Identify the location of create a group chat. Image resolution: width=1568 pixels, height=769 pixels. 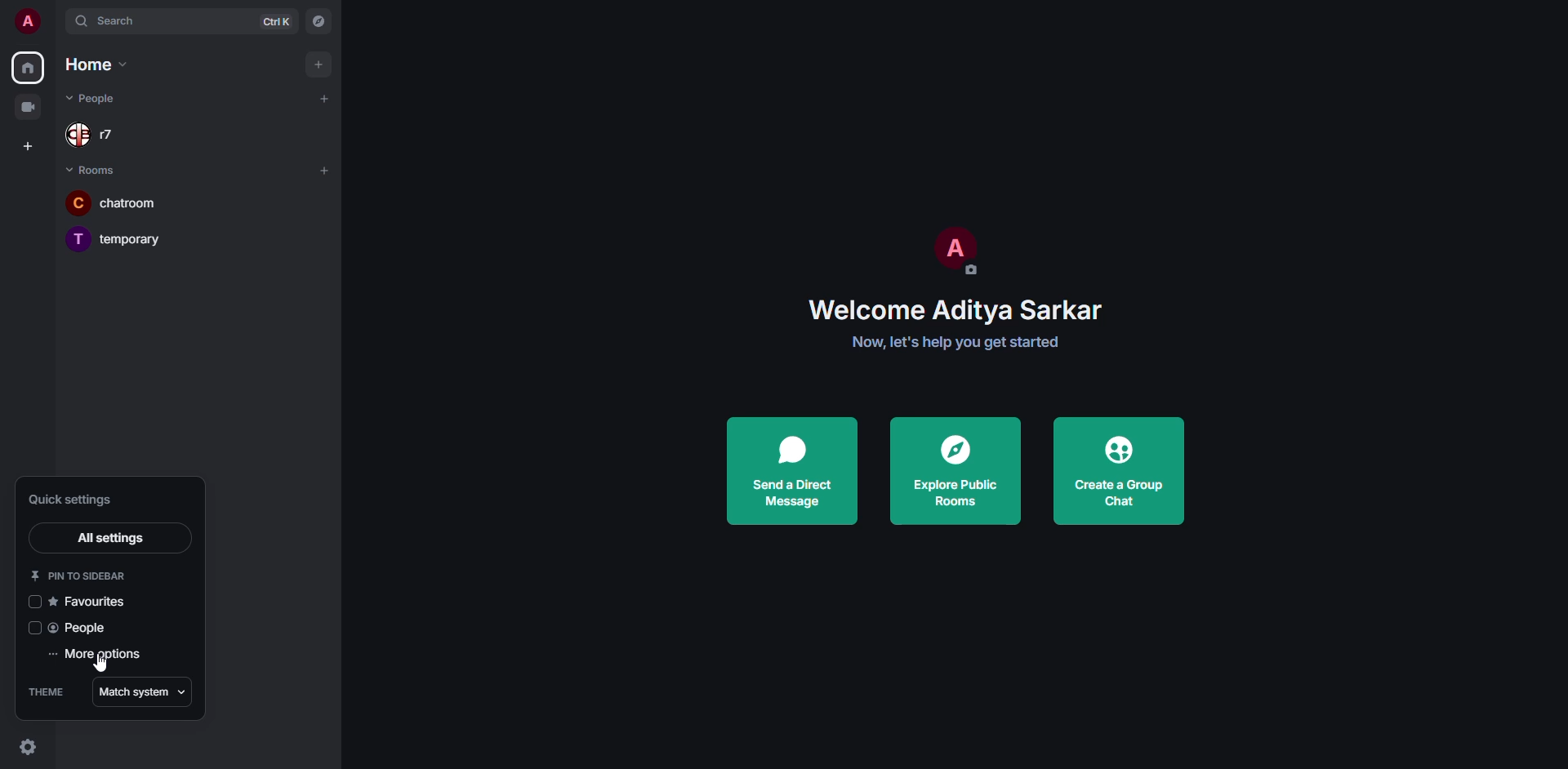
(1119, 471).